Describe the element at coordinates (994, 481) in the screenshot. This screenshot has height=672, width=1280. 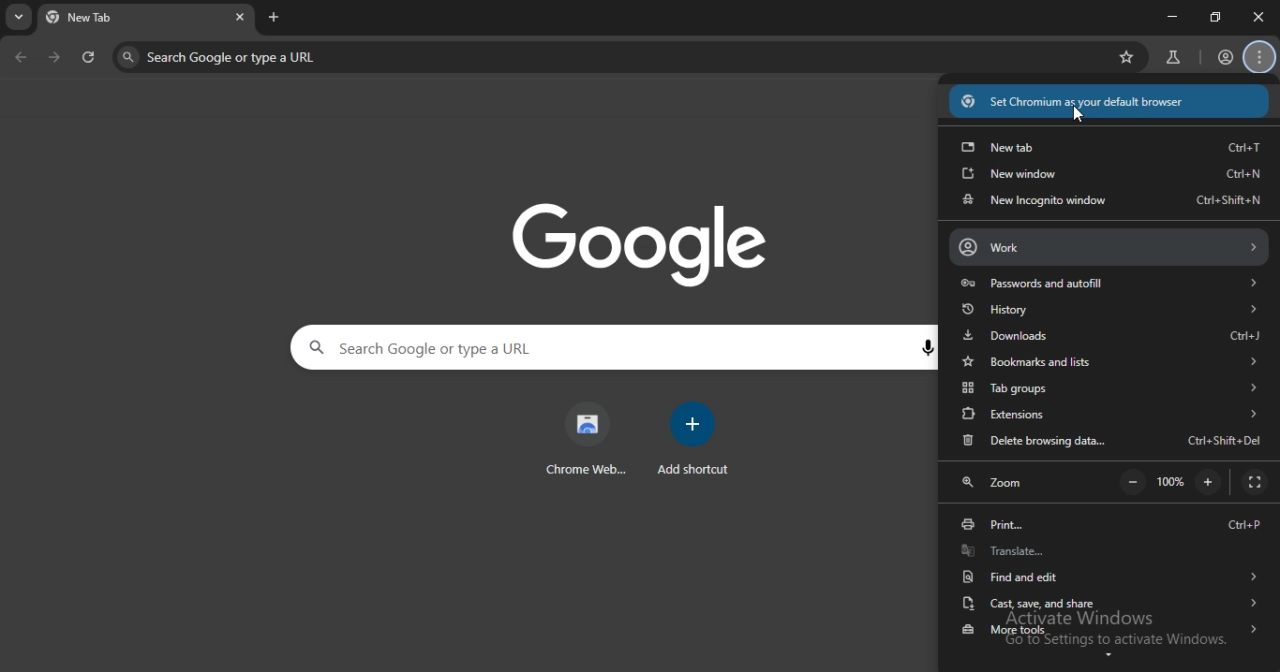
I see `zoom ` at that location.